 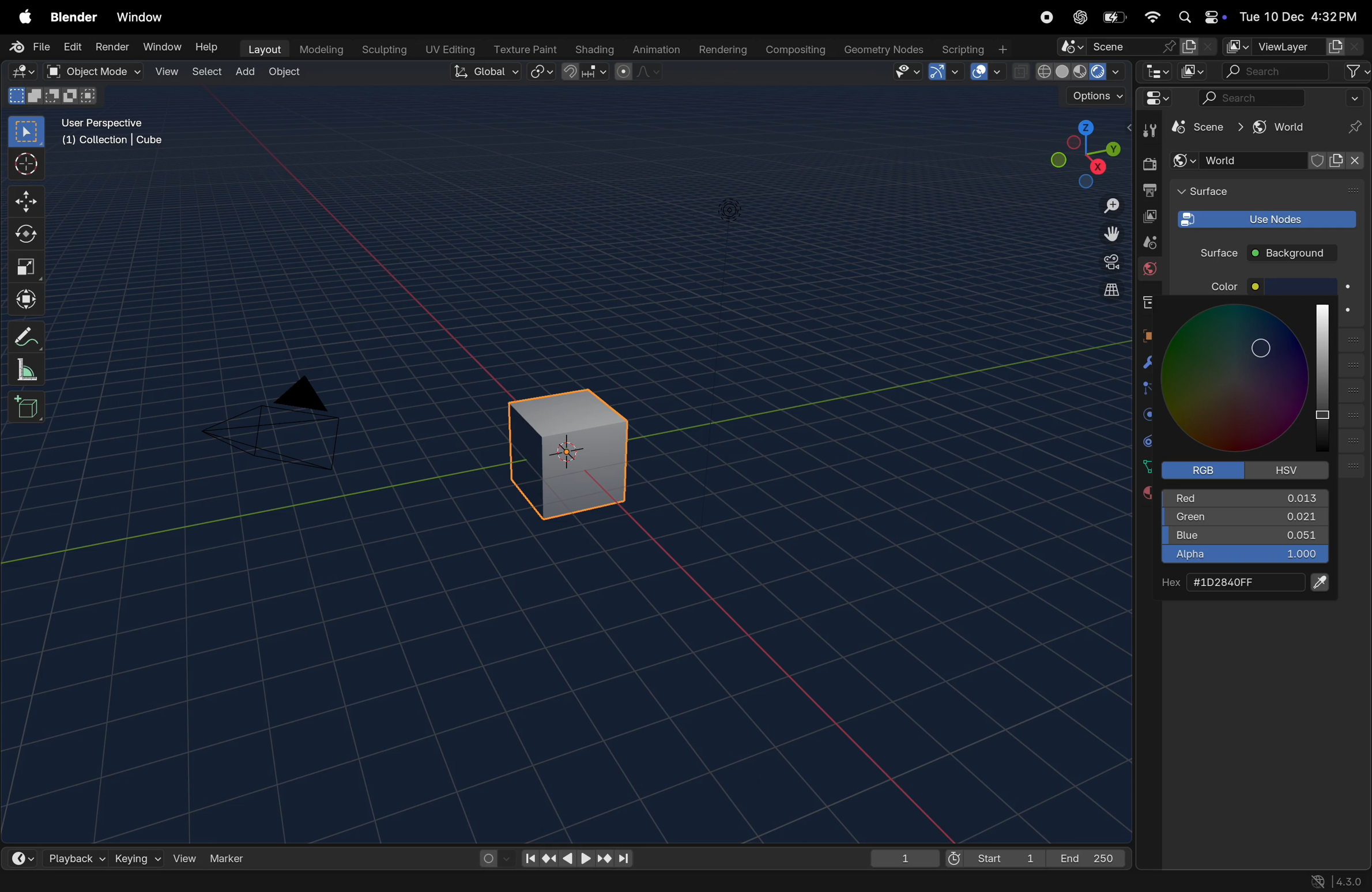 I want to click on record, so click(x=1050, y=19).